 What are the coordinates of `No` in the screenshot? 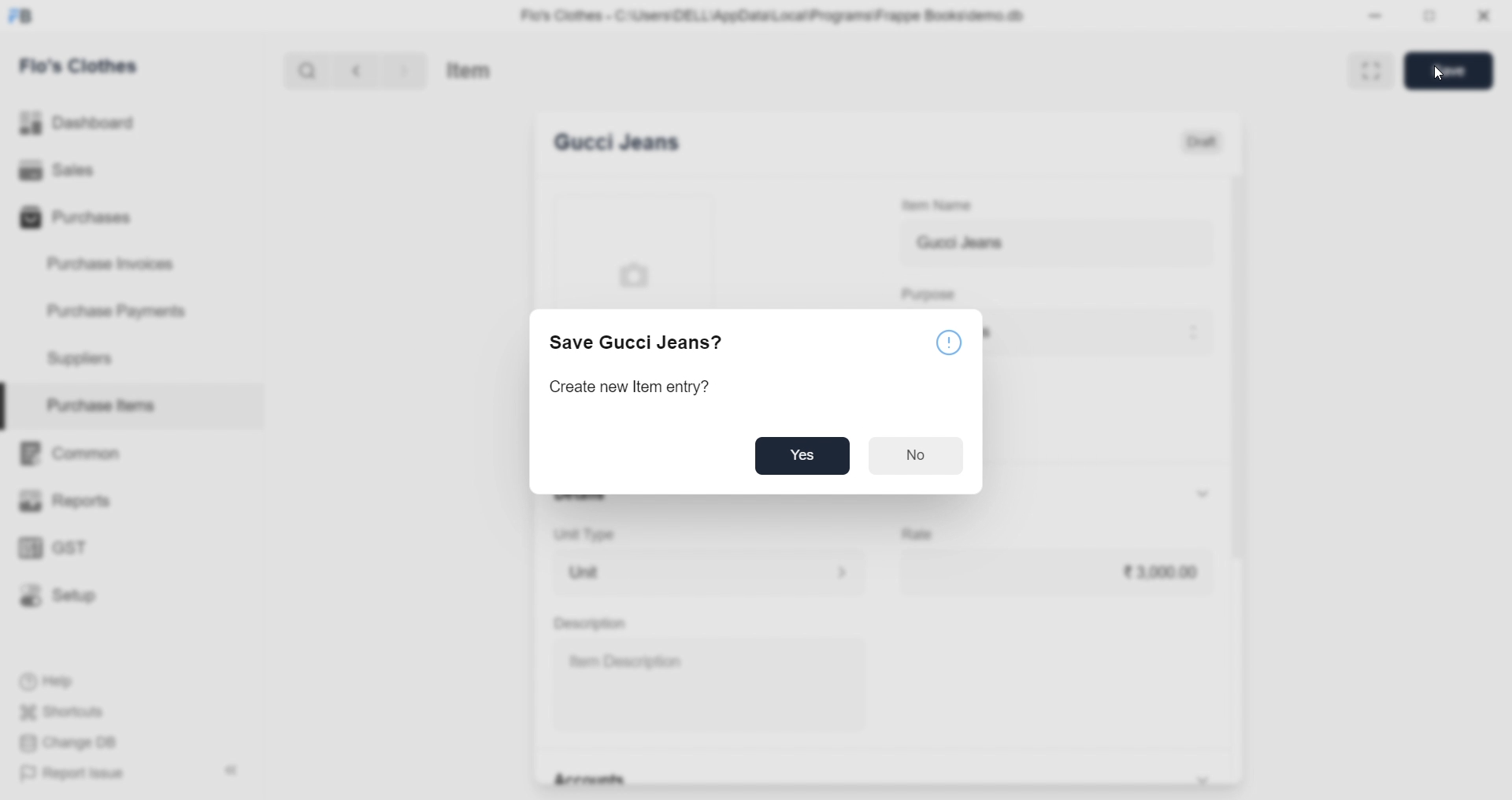 It's located at (917, 456).